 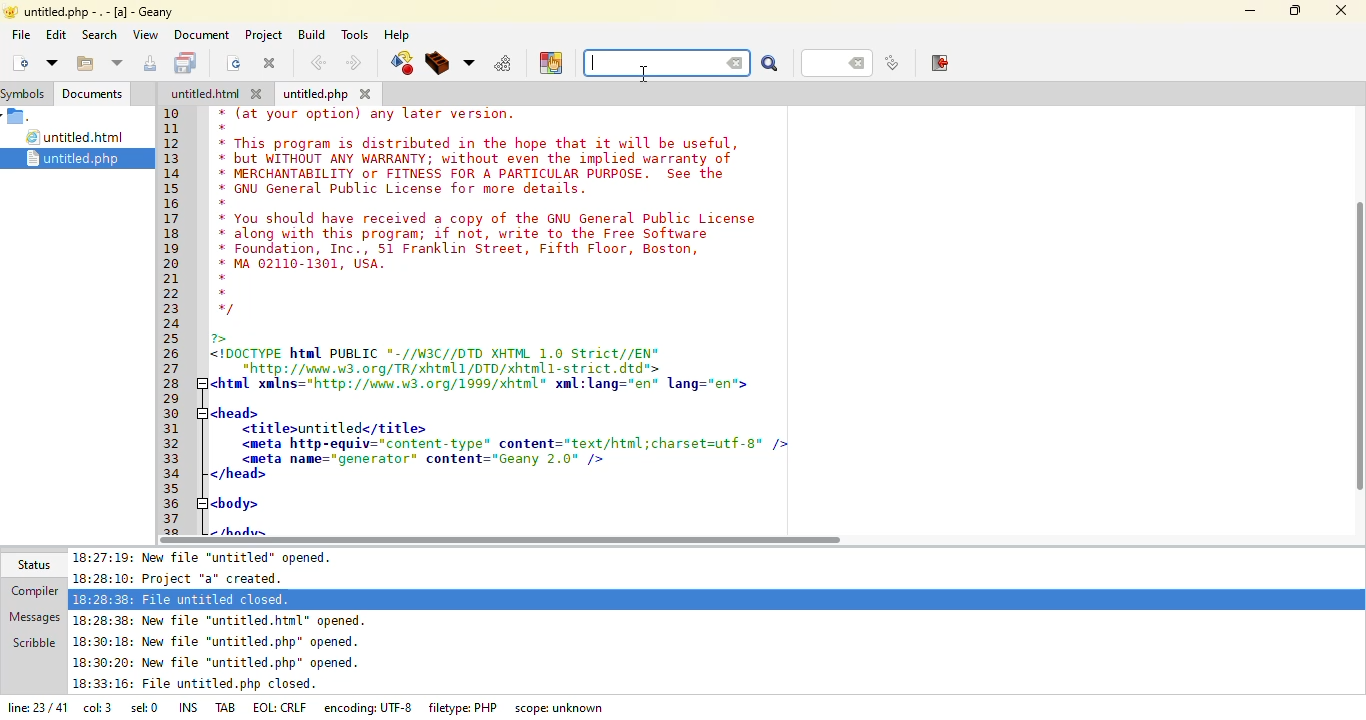 I want to click on jump to line, so click(x=891, y=64).